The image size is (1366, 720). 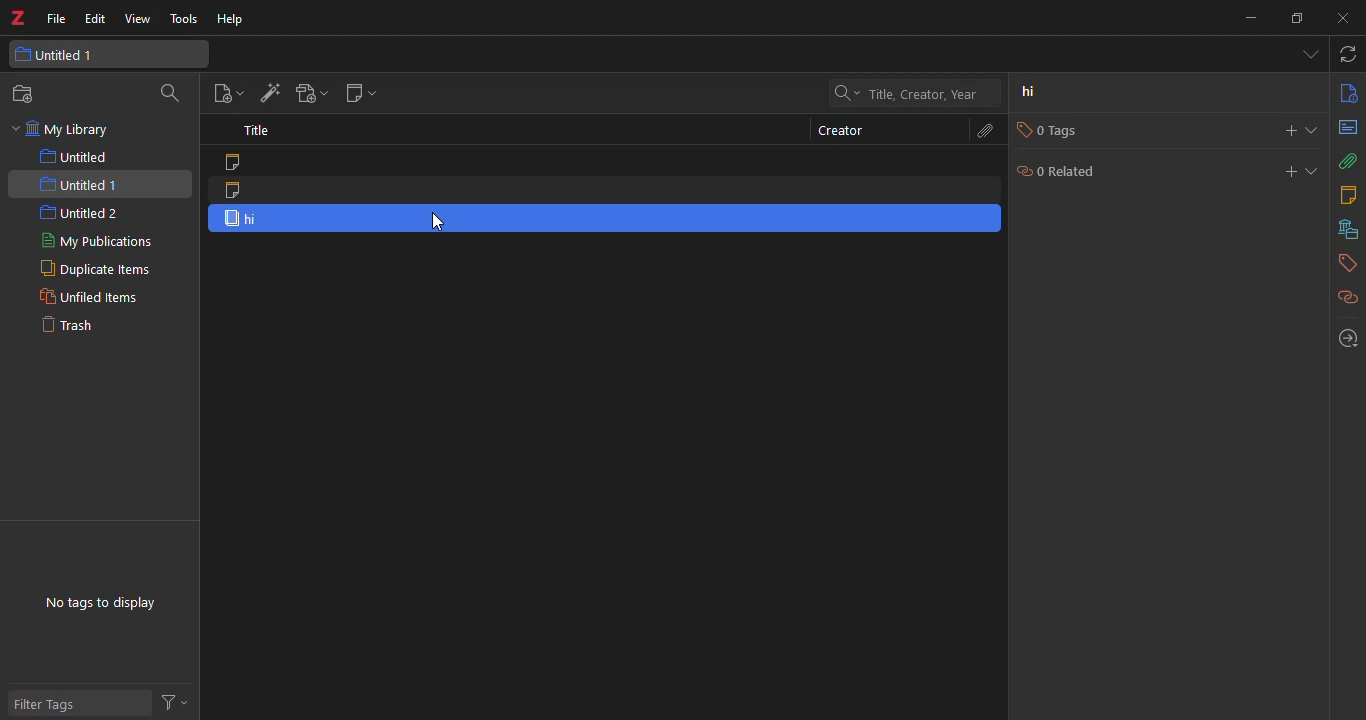 What do you see at coordinates (55, 19) in the screenshot?
I see `file` at bounding box center [55, 19].